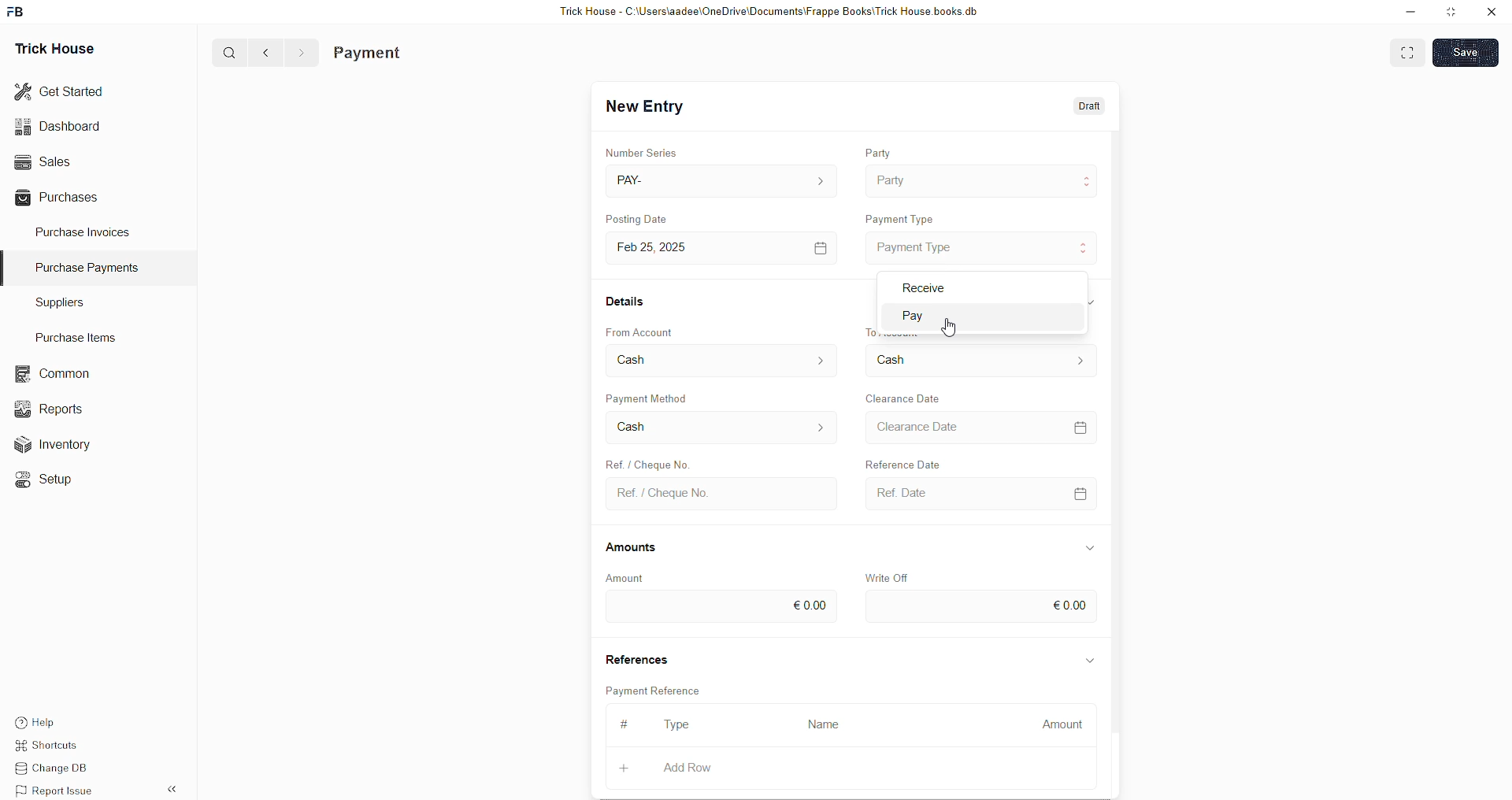 Image resolution: width=1512 pixels, height=800 pixels. Describe the element at coordinates (1408, 12) in the screenshot. I see `minimise down` at that location.